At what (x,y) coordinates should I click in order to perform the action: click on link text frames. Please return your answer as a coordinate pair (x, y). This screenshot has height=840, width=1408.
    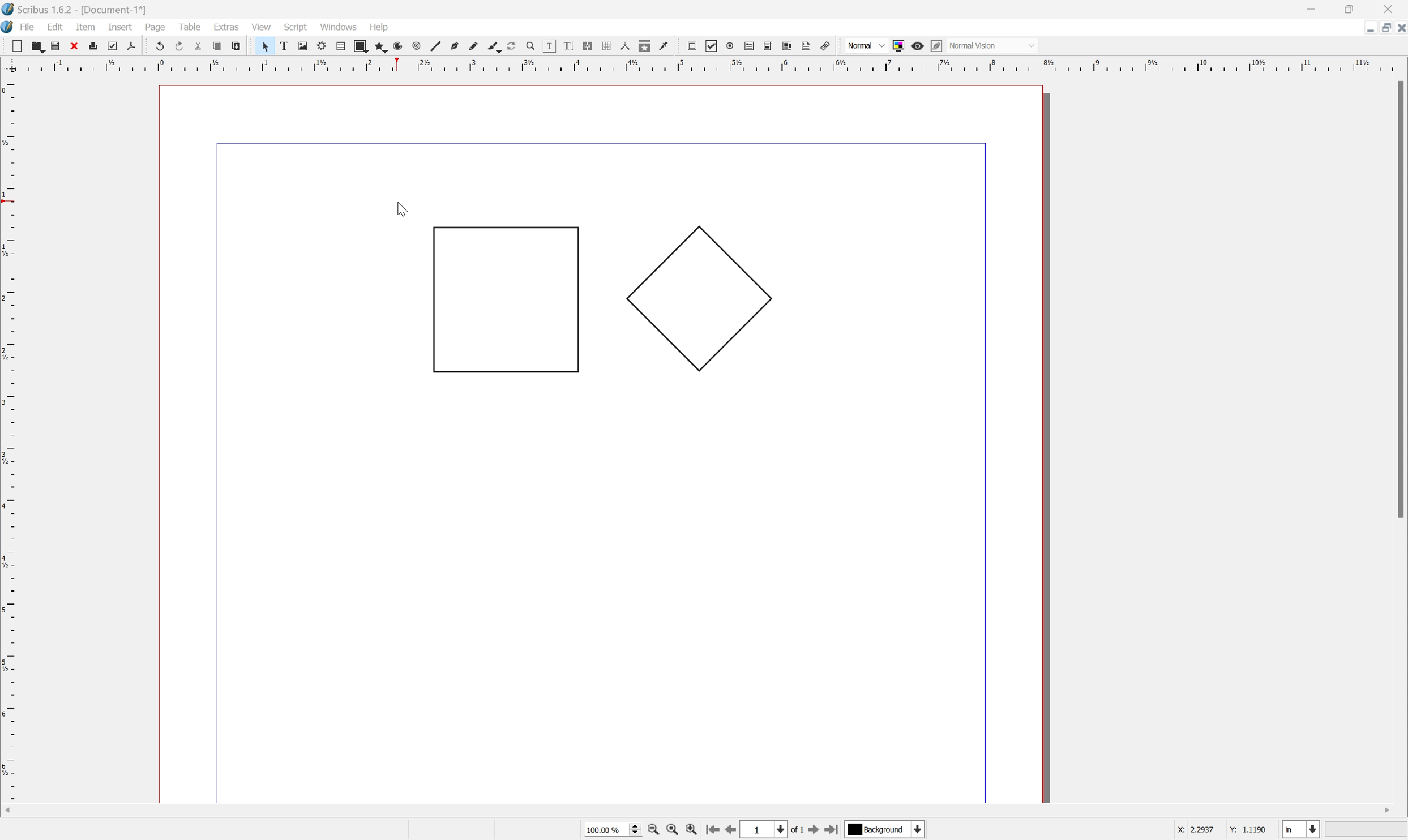
    Looking at the image, I should click on (587, 46).